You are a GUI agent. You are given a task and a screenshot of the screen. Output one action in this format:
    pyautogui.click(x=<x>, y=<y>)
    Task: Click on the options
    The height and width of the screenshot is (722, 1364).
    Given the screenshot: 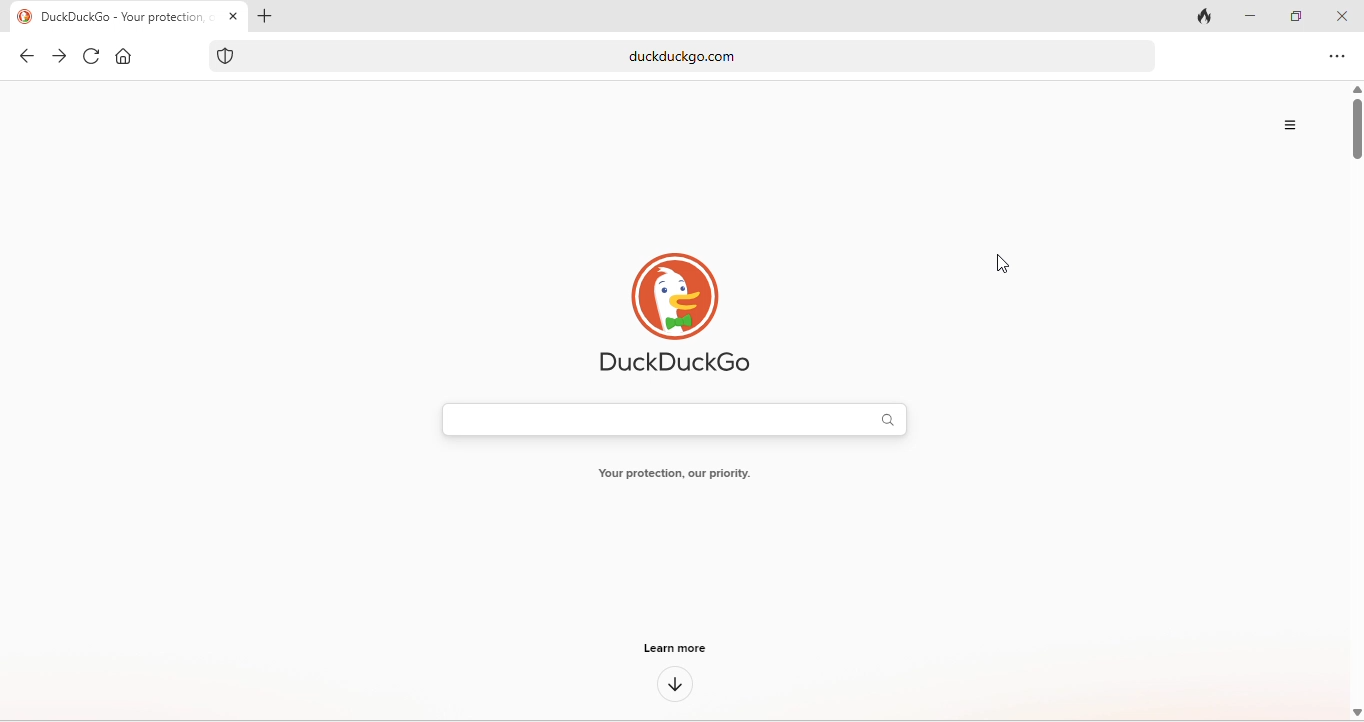 What is the action you would take?
    pyautogui.click(x=1287, y=125)
    